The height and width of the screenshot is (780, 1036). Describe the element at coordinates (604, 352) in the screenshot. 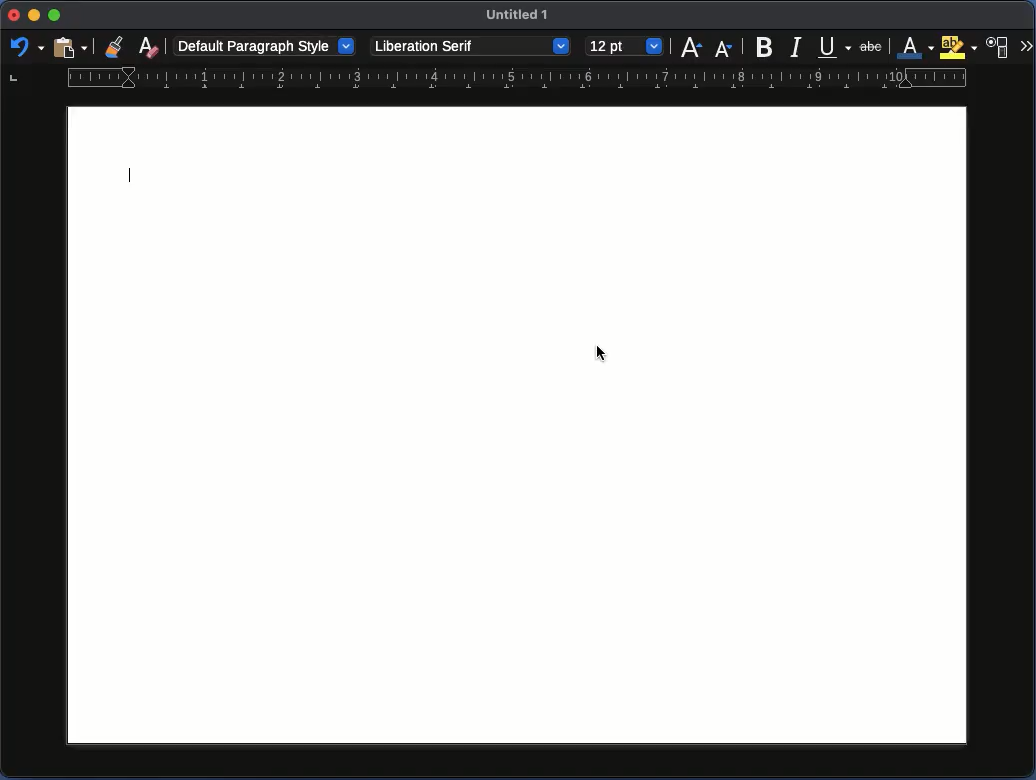

I see `Cursor` at that location.